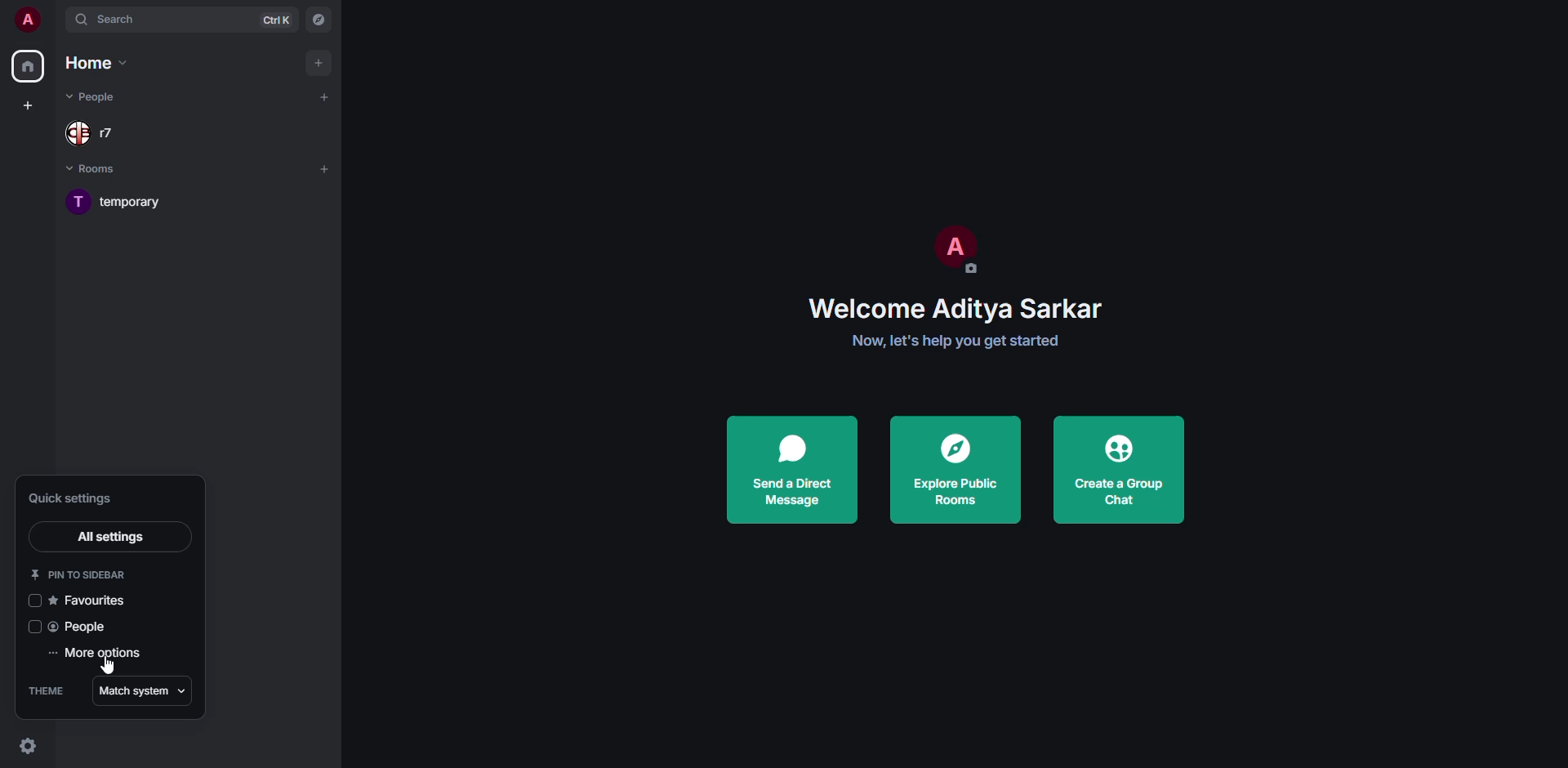  What do you see at coordinates (142, 690) in the screenshot?
I see `match system` at bounding box center [142, 690].